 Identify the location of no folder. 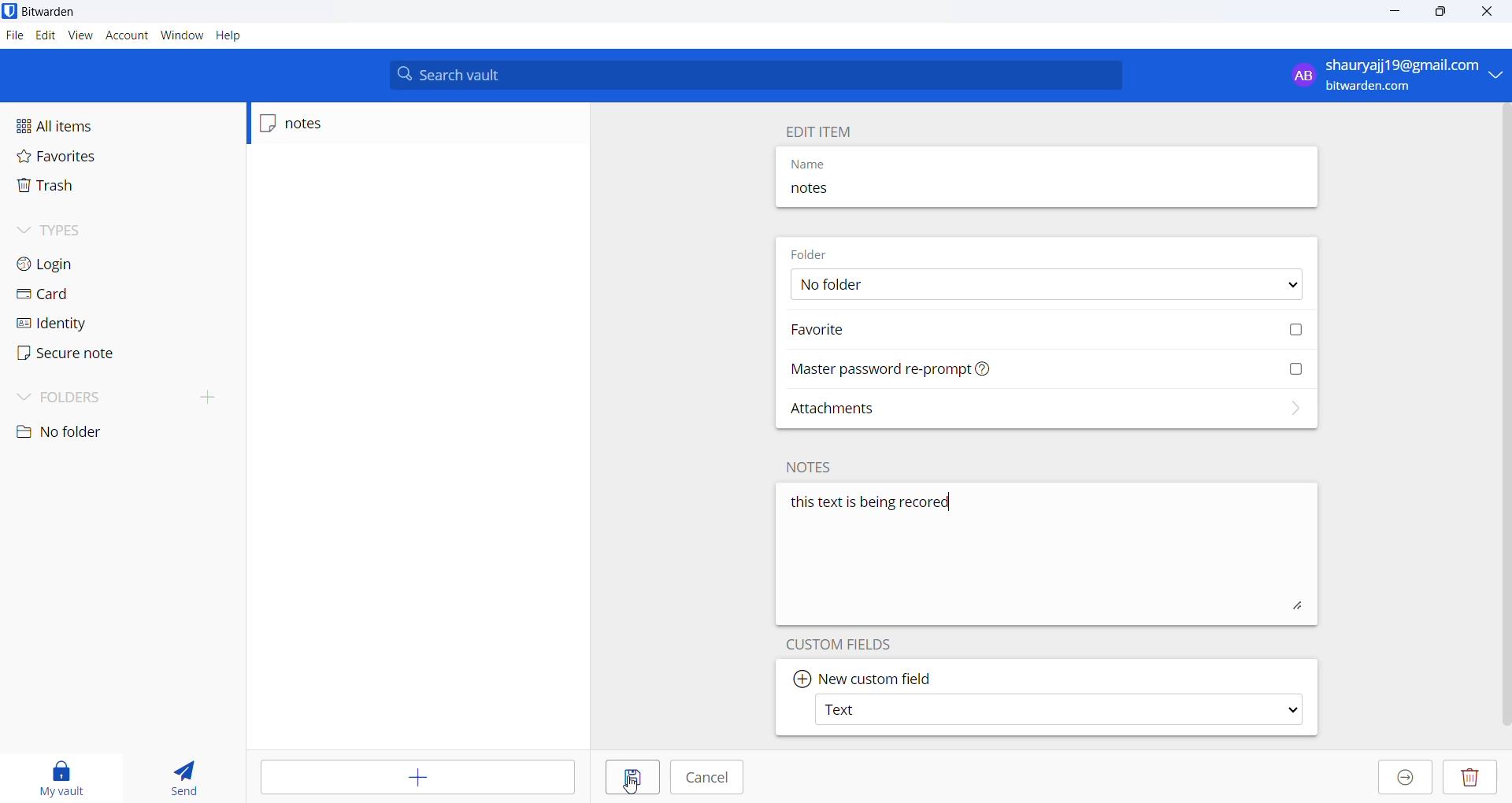
(76, 432).